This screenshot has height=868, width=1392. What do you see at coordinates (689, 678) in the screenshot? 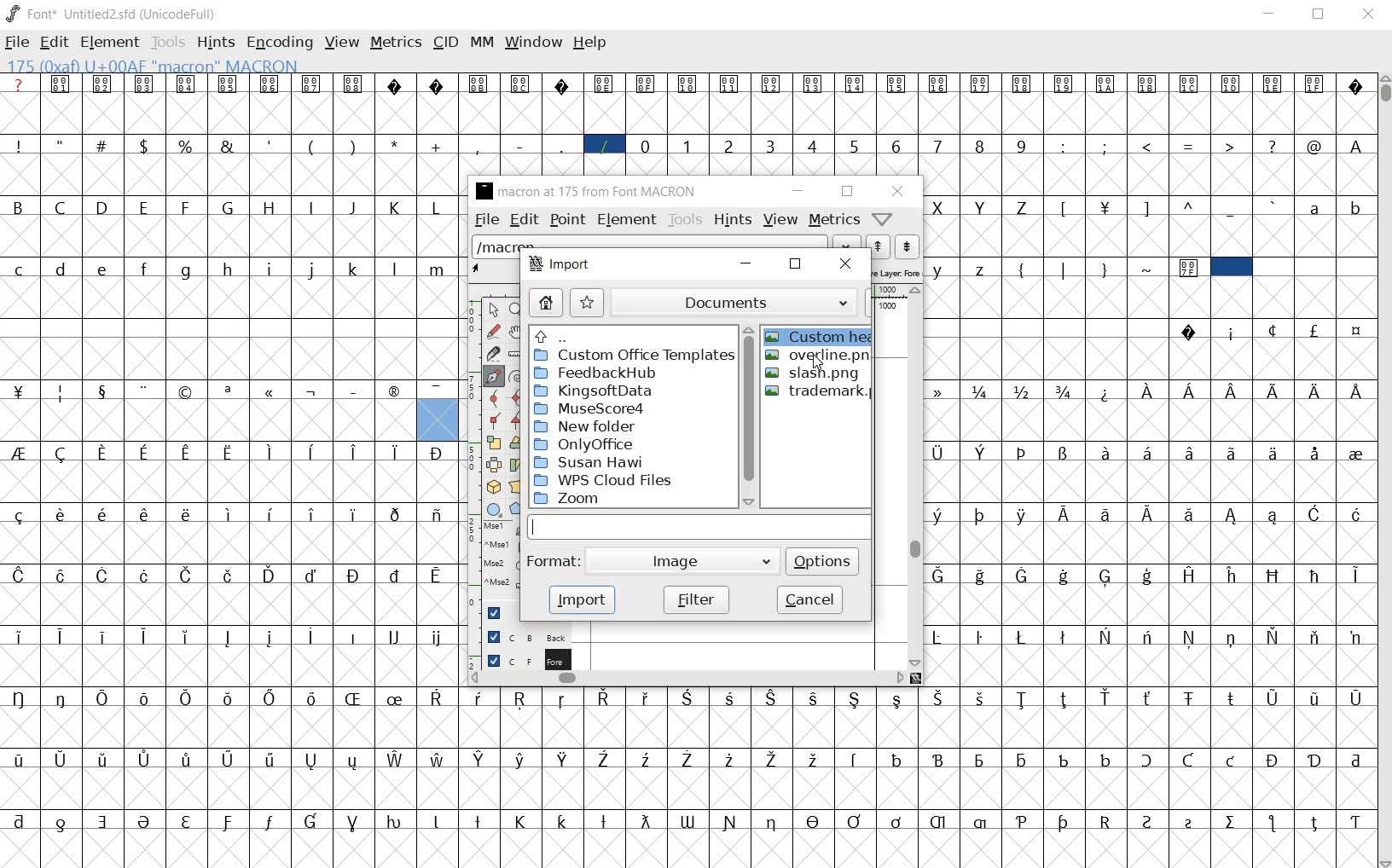
I see `horizontal scrollbar` at bounding box center [689, 678].